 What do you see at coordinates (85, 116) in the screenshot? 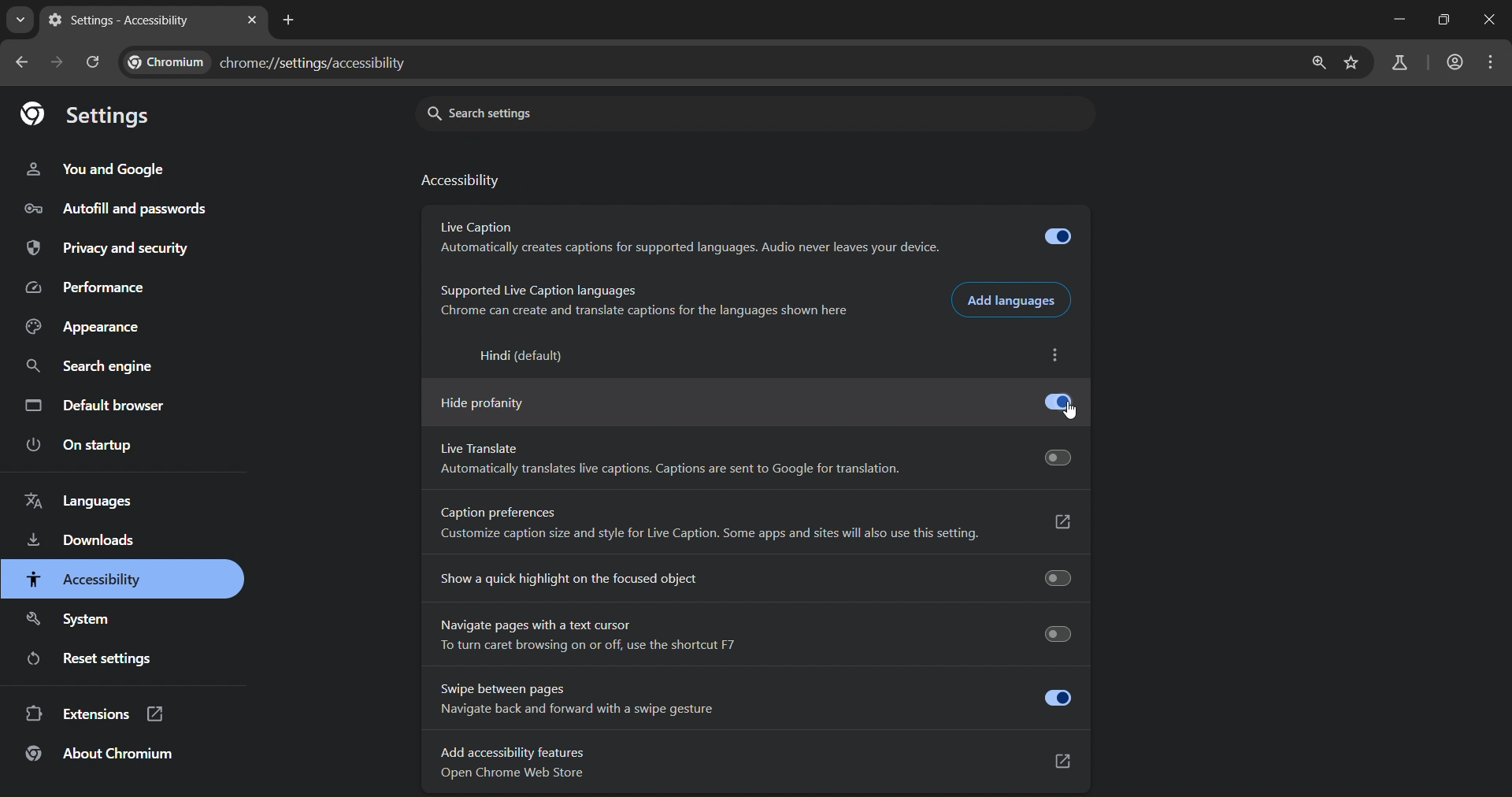
I see `settings` at bounding box center [85, 116].